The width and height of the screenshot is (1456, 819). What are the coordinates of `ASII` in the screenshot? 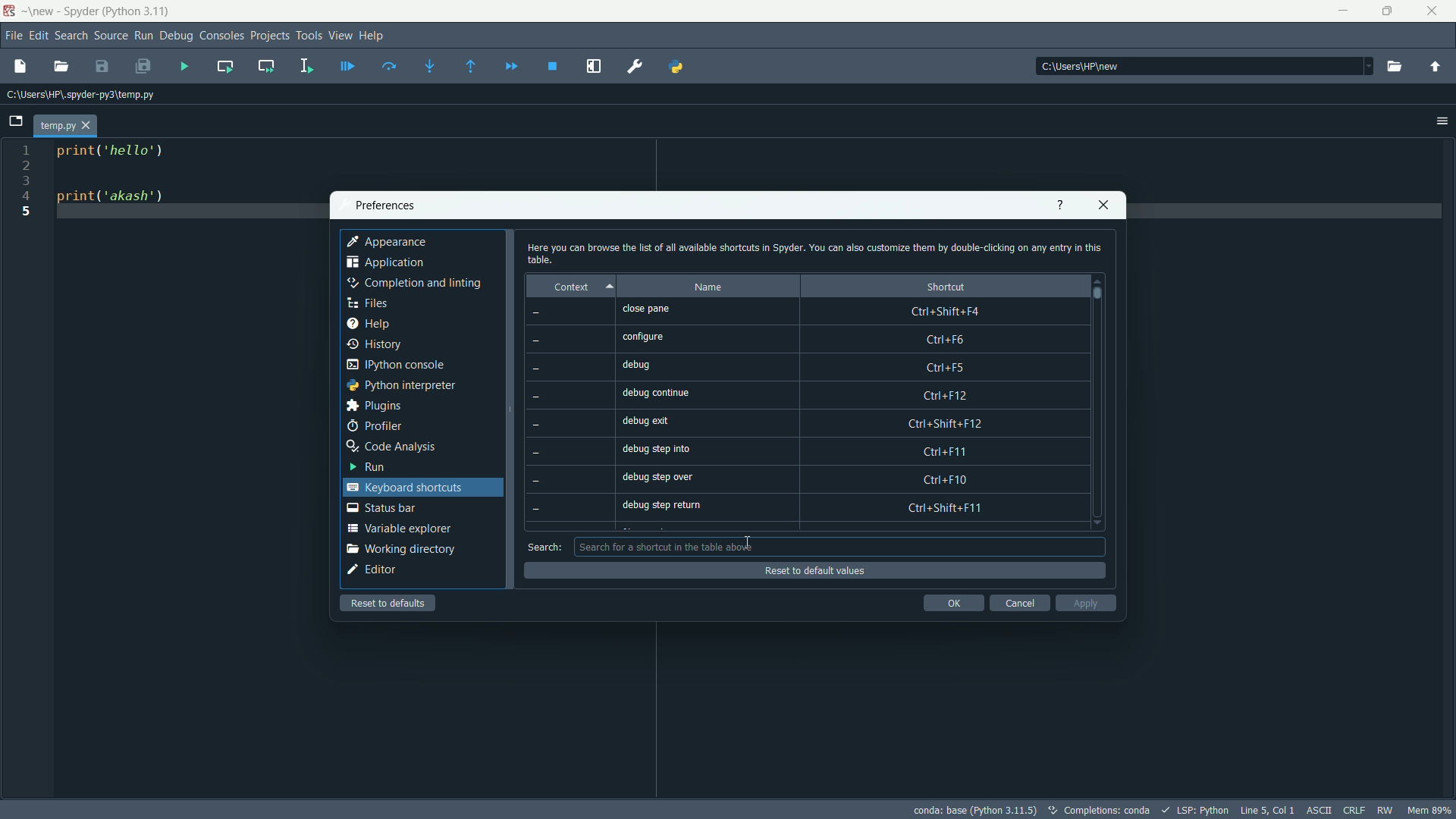 It's located at (1318, 809).